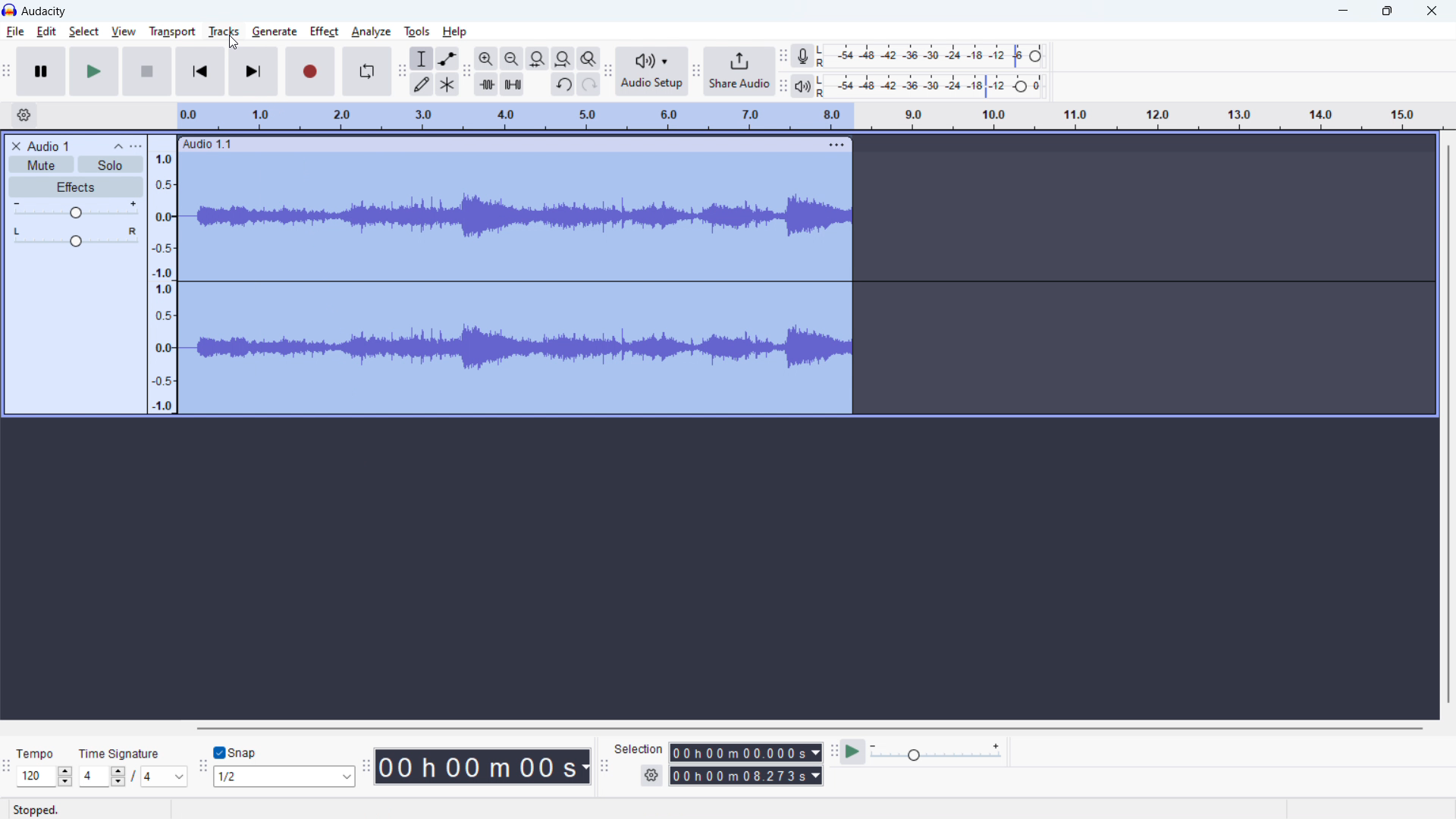 The height and width of the screenshot is (819, 1456). What do you see at coordinates (517, 284) in the screenshot?
I see `track selcted` at bounding box center [517, 284].